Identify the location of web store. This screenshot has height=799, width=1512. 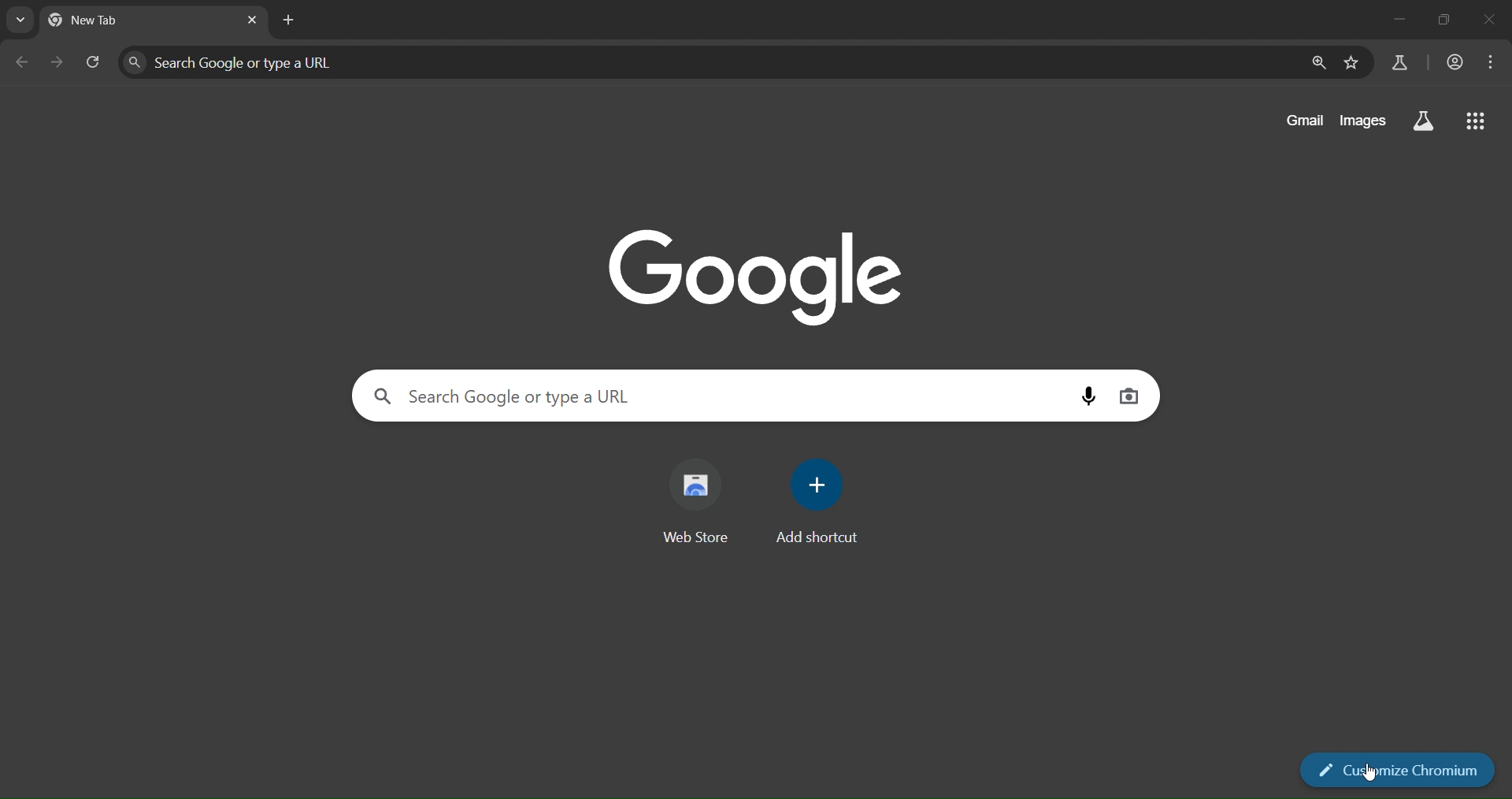
(695, 500).